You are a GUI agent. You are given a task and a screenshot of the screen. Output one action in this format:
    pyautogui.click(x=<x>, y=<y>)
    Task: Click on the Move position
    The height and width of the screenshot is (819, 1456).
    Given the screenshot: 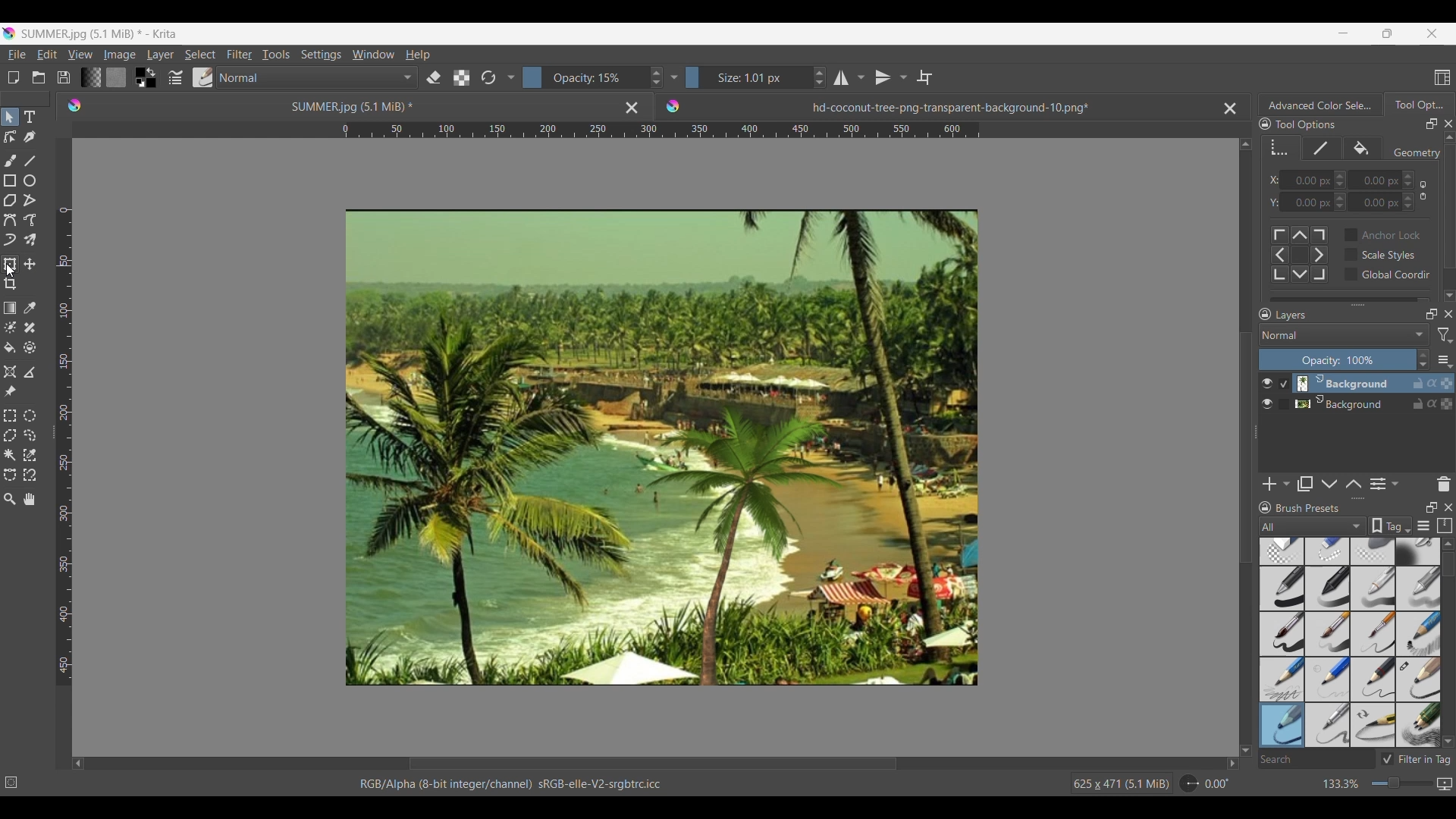 What is the action you would take?
    pyautogui.click(x=30, y=264)
    